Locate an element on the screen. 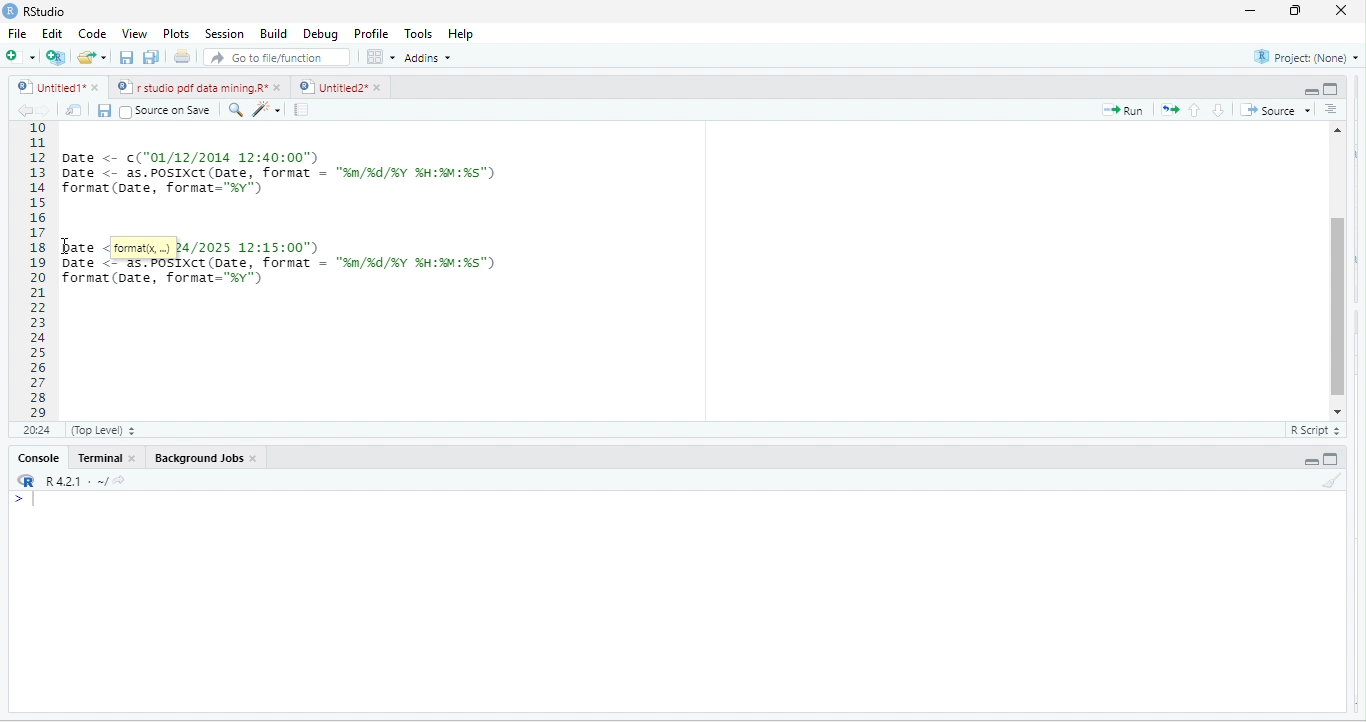  print the current file is located at coordinates (181, 59).